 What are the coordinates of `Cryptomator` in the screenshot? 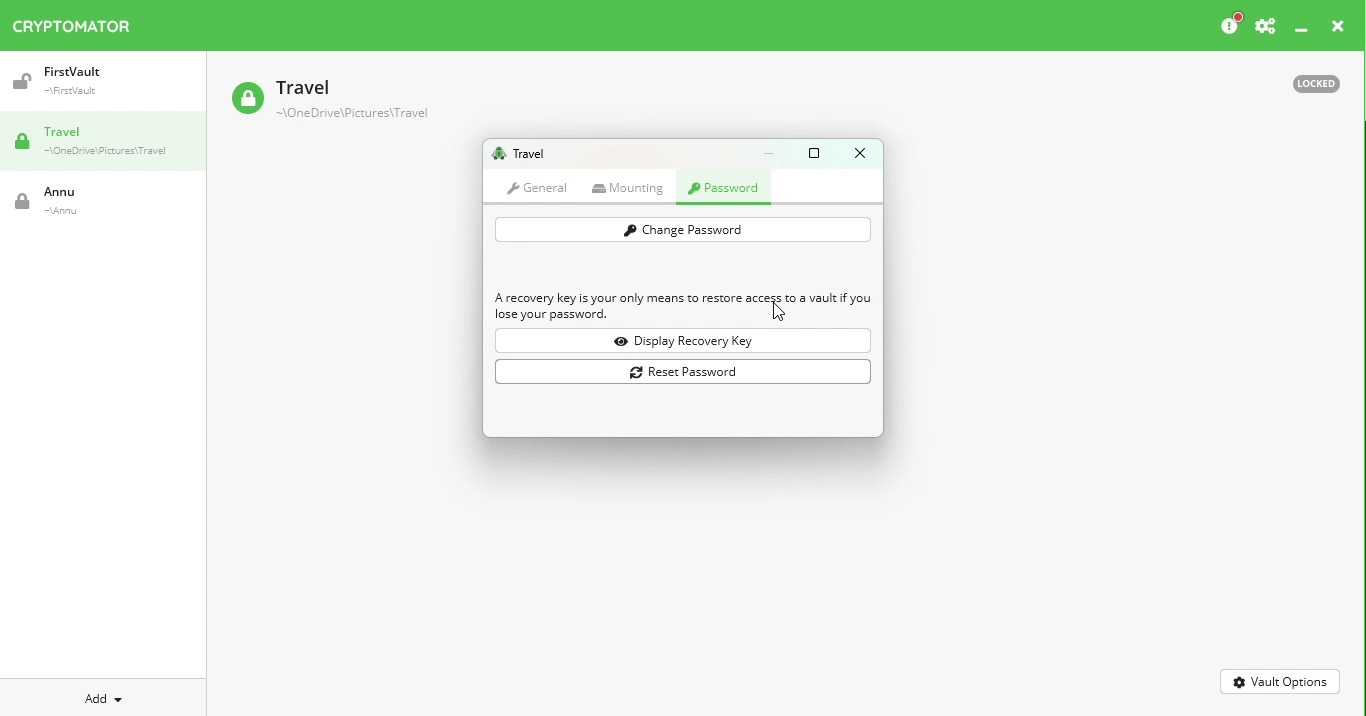 It's located at (72, 22).